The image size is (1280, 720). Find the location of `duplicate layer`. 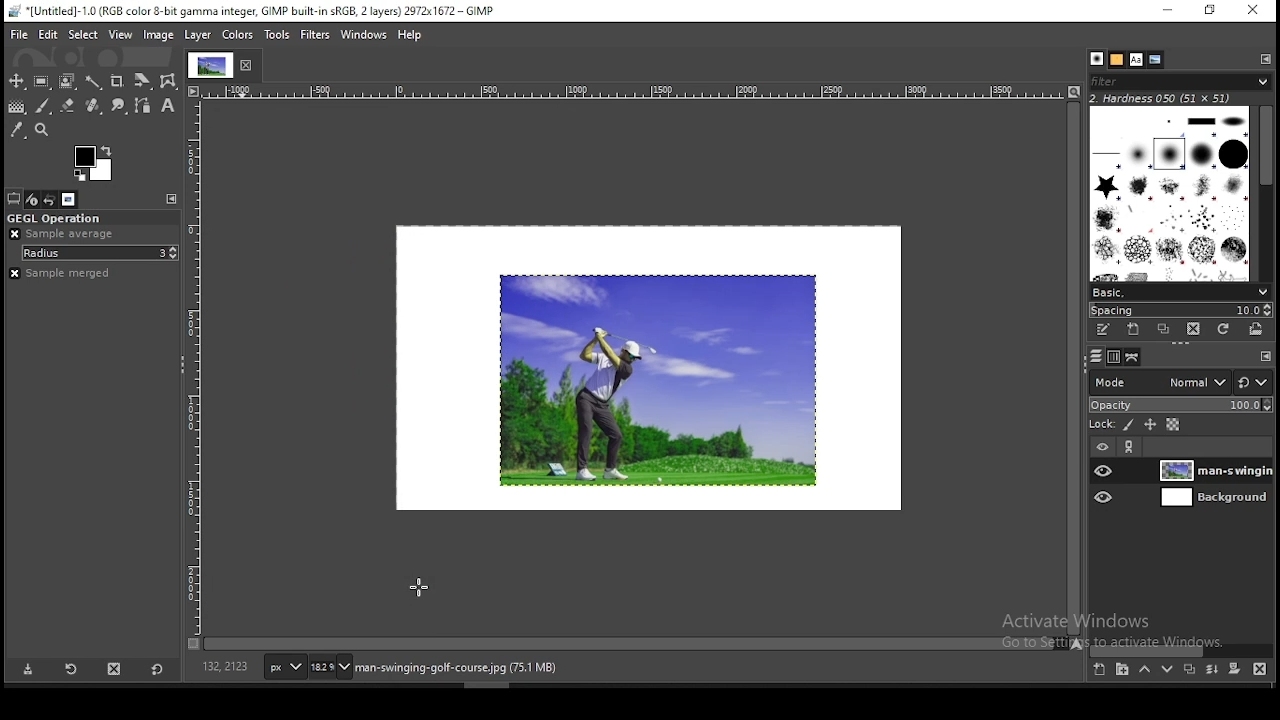

duplicate layer is located at coordinates (1190, 669).